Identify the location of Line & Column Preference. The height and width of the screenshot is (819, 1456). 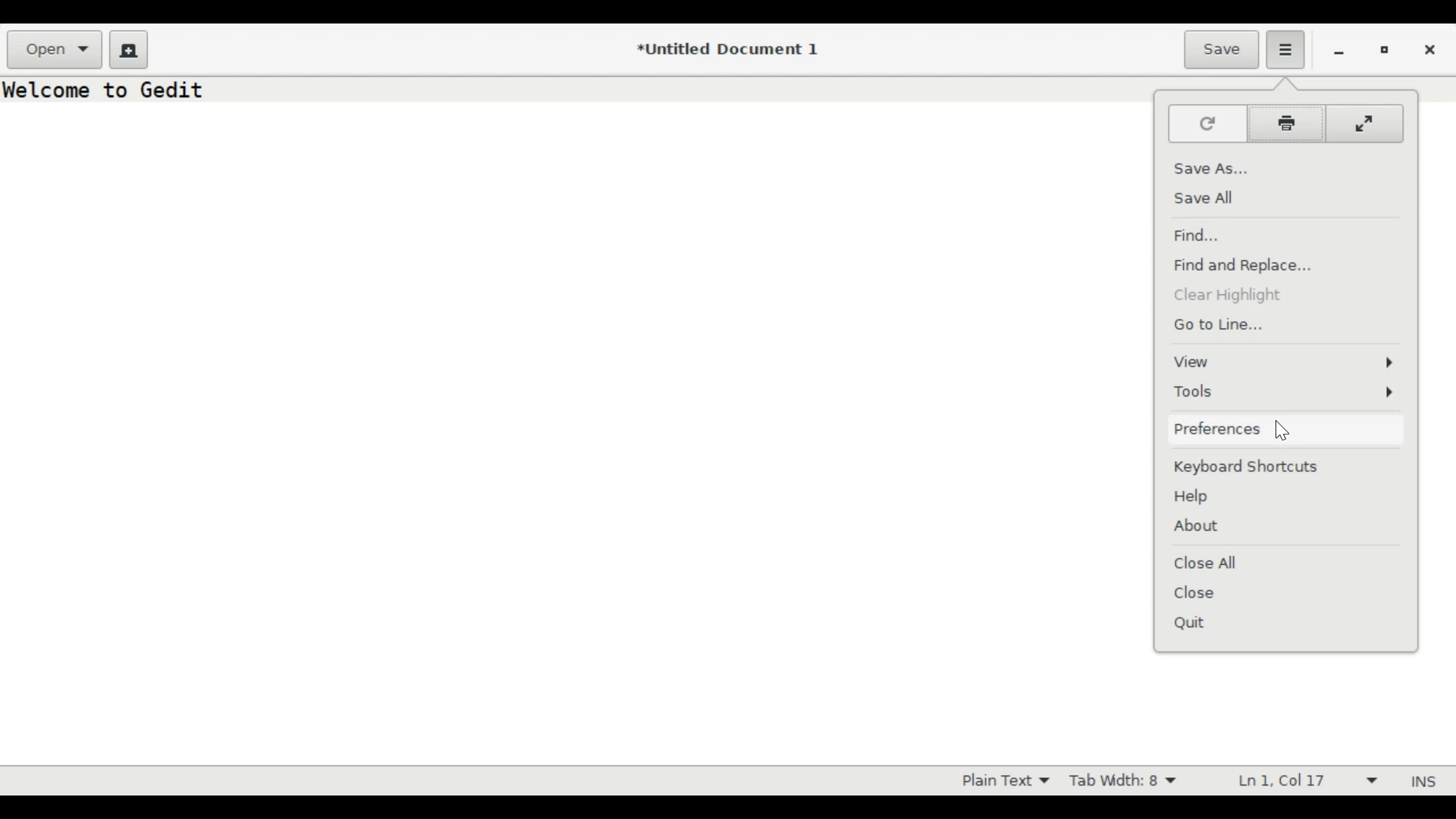
(1304, 779).